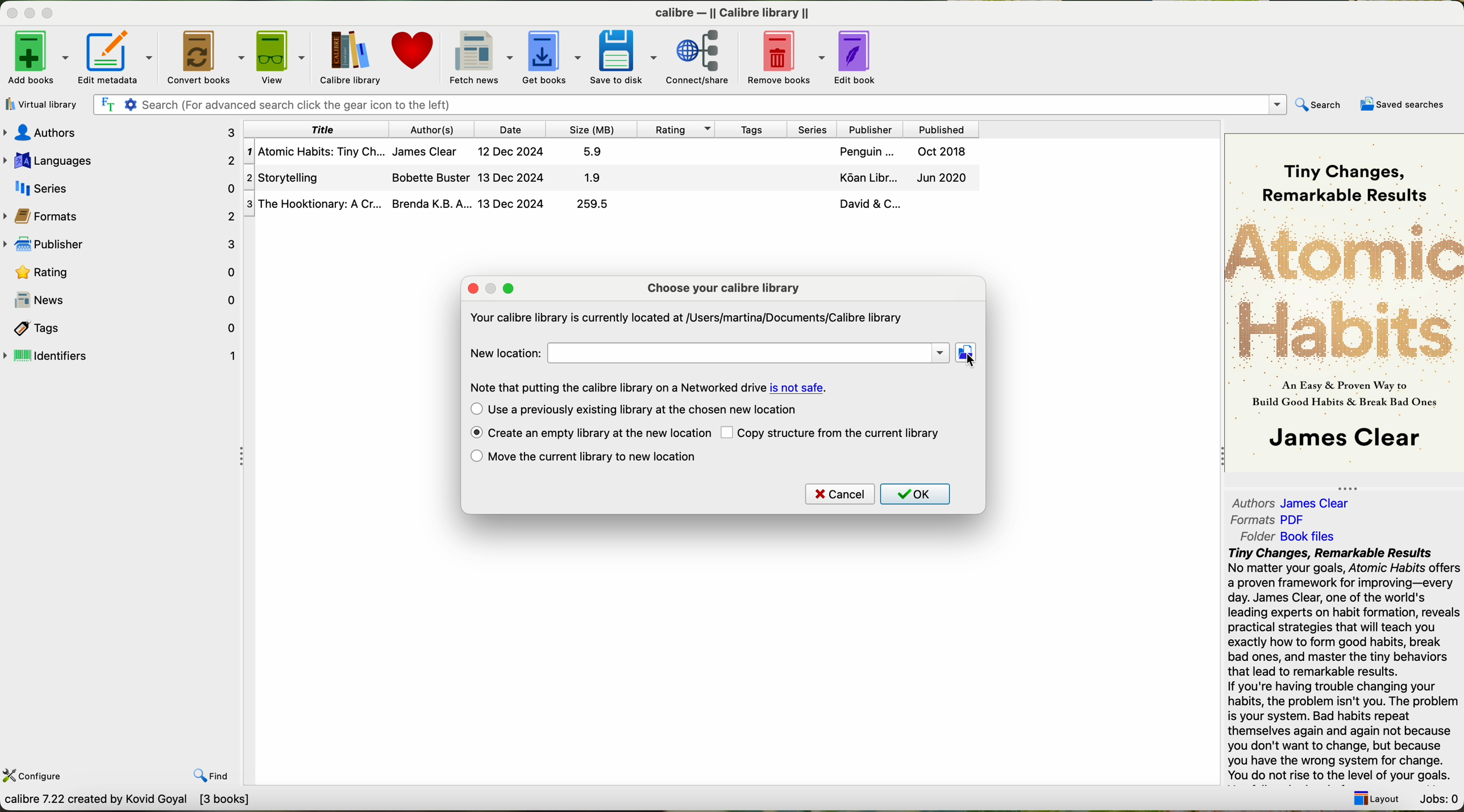 This screenshot has width=1464, height=812. Describe the element at coordinates (35, 774) in the screenshot. I see `configure` at that location.